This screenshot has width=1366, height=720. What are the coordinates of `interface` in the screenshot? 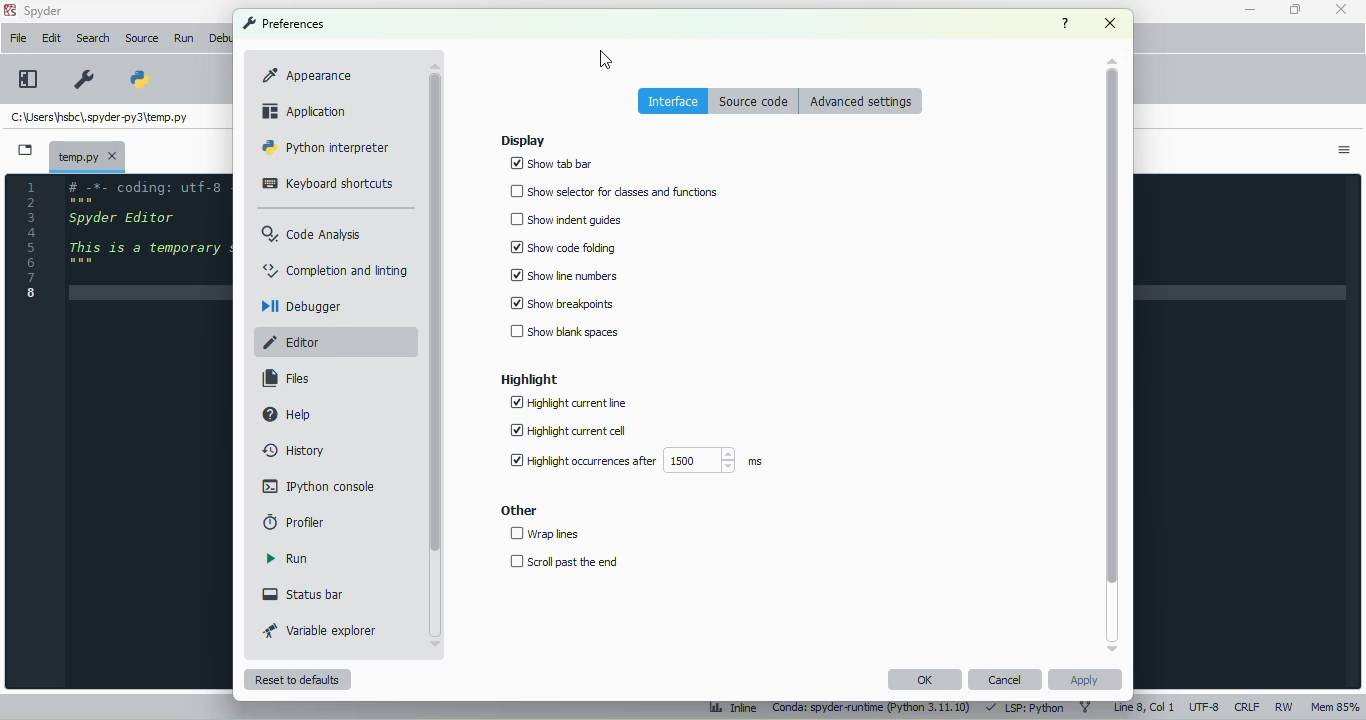 It's located at (674, 100).